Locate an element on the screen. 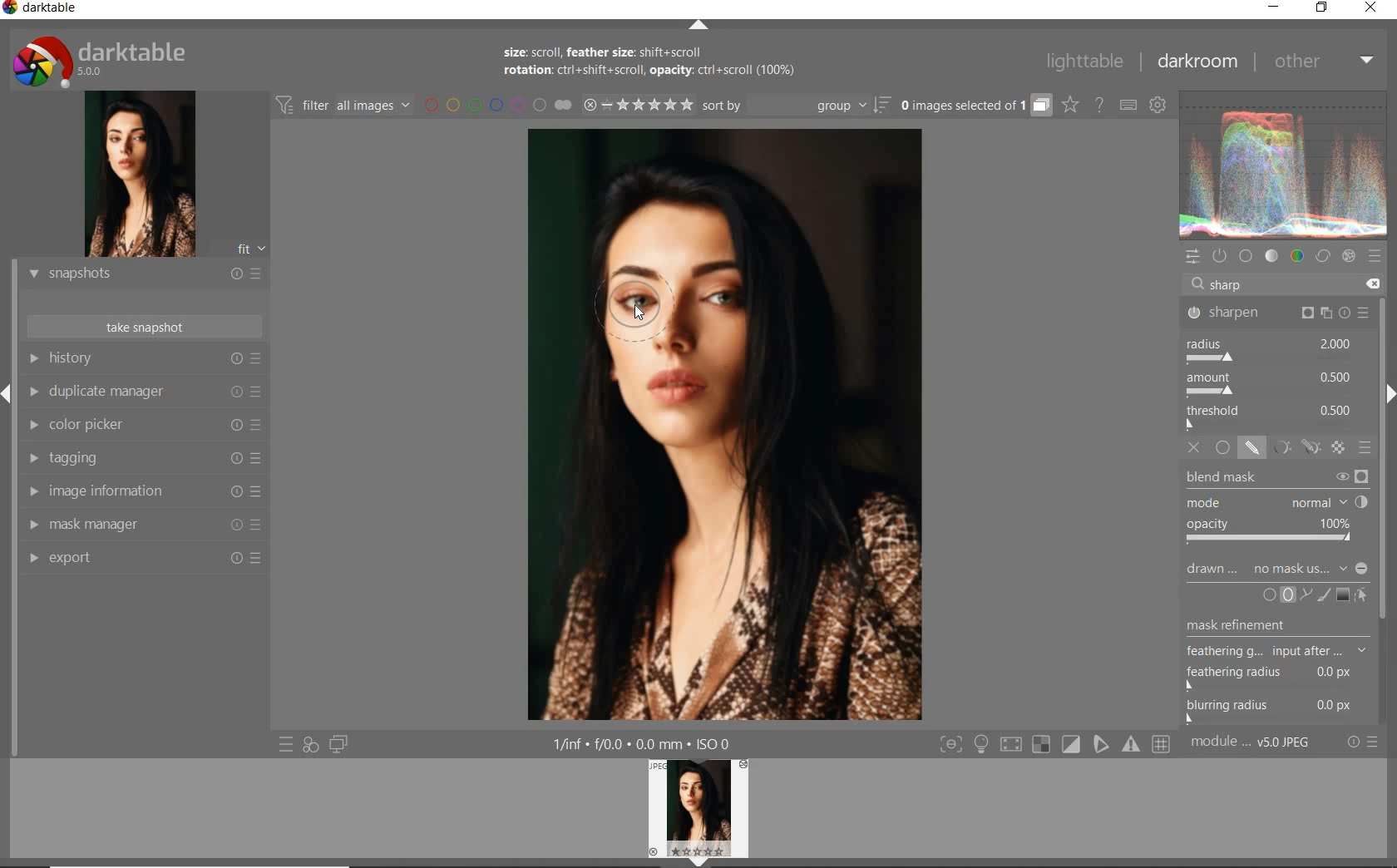 This screenshot has width=1397, height=868. quick access panel is located at coordinates (1195, 259).